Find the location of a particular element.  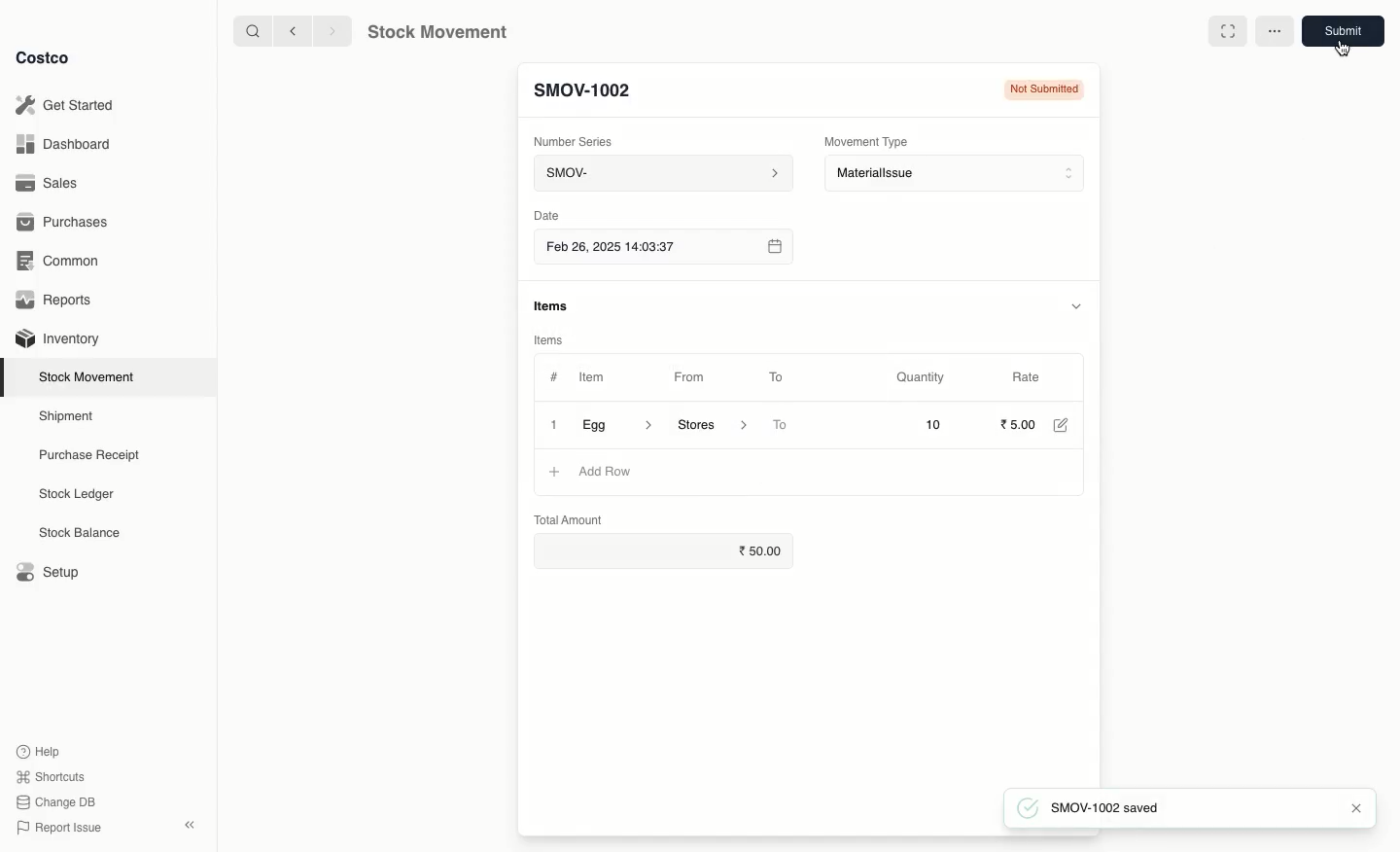

Help is located at coordinates (40, 749).